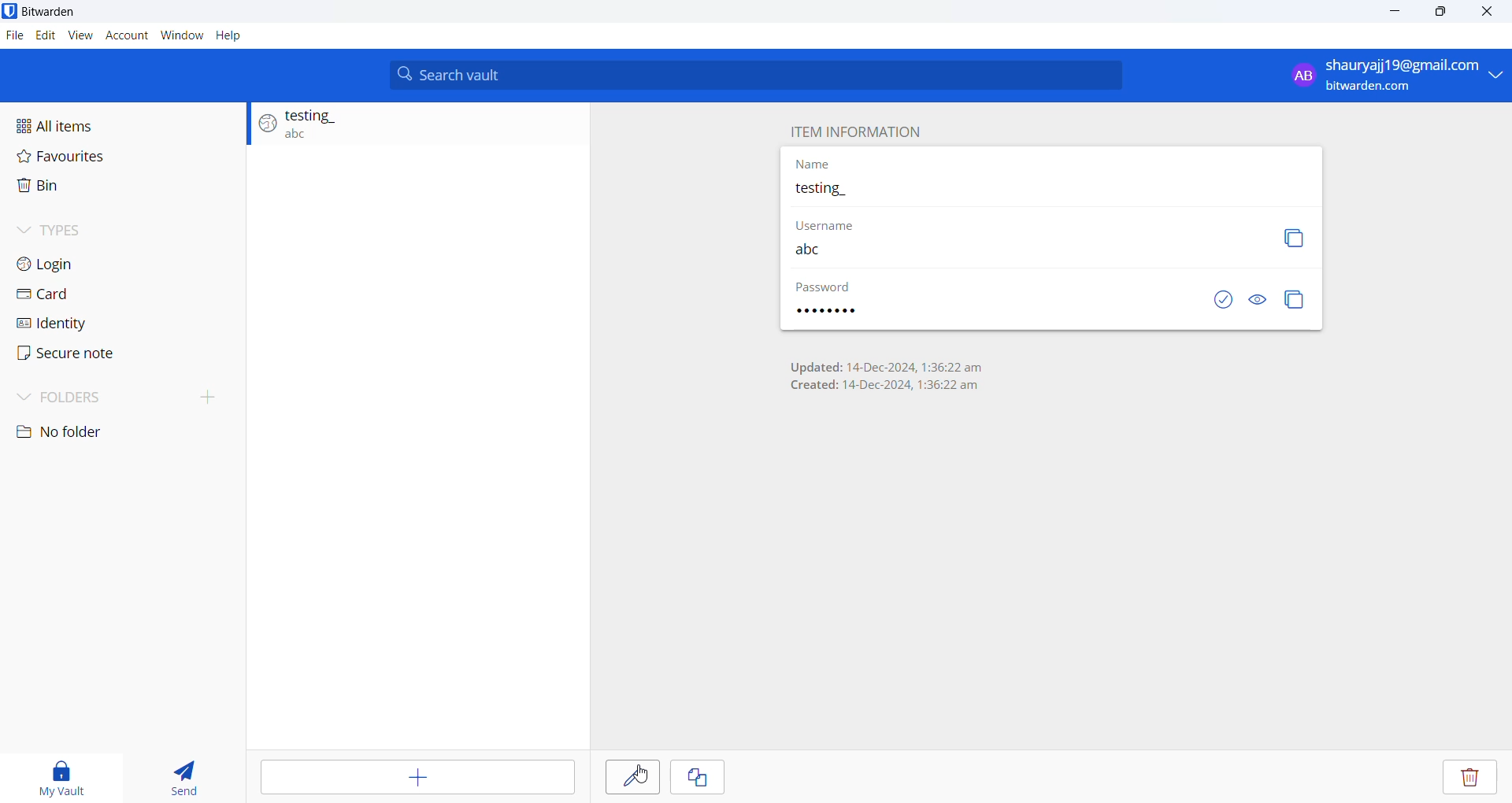  What do you see at coordinates (69, 774) in the screenshot?
I see `My vault` at bounding box center [69, 774].